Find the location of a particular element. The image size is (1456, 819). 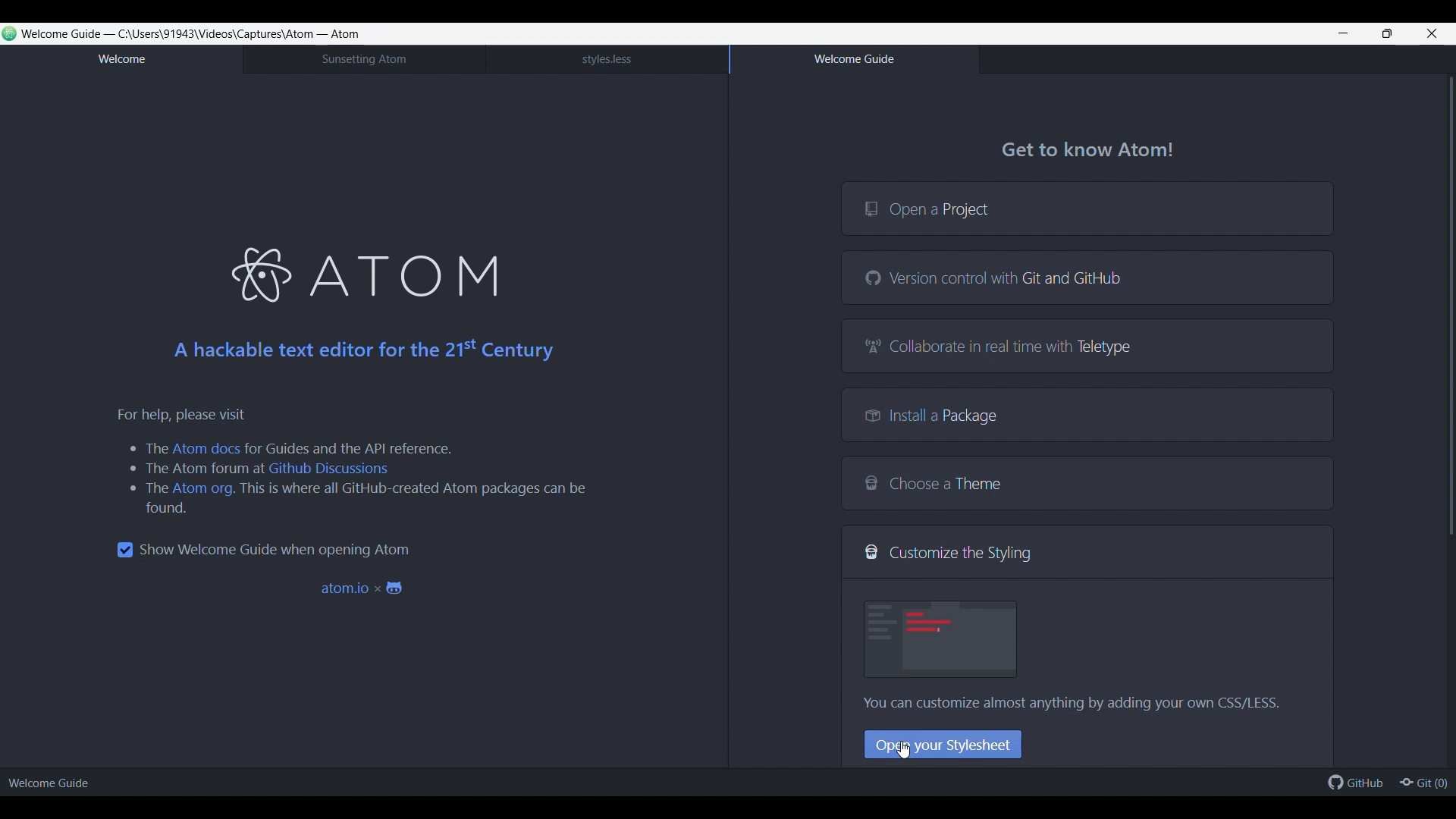

Vertical slide bar is located at coordinates (1451, 386).